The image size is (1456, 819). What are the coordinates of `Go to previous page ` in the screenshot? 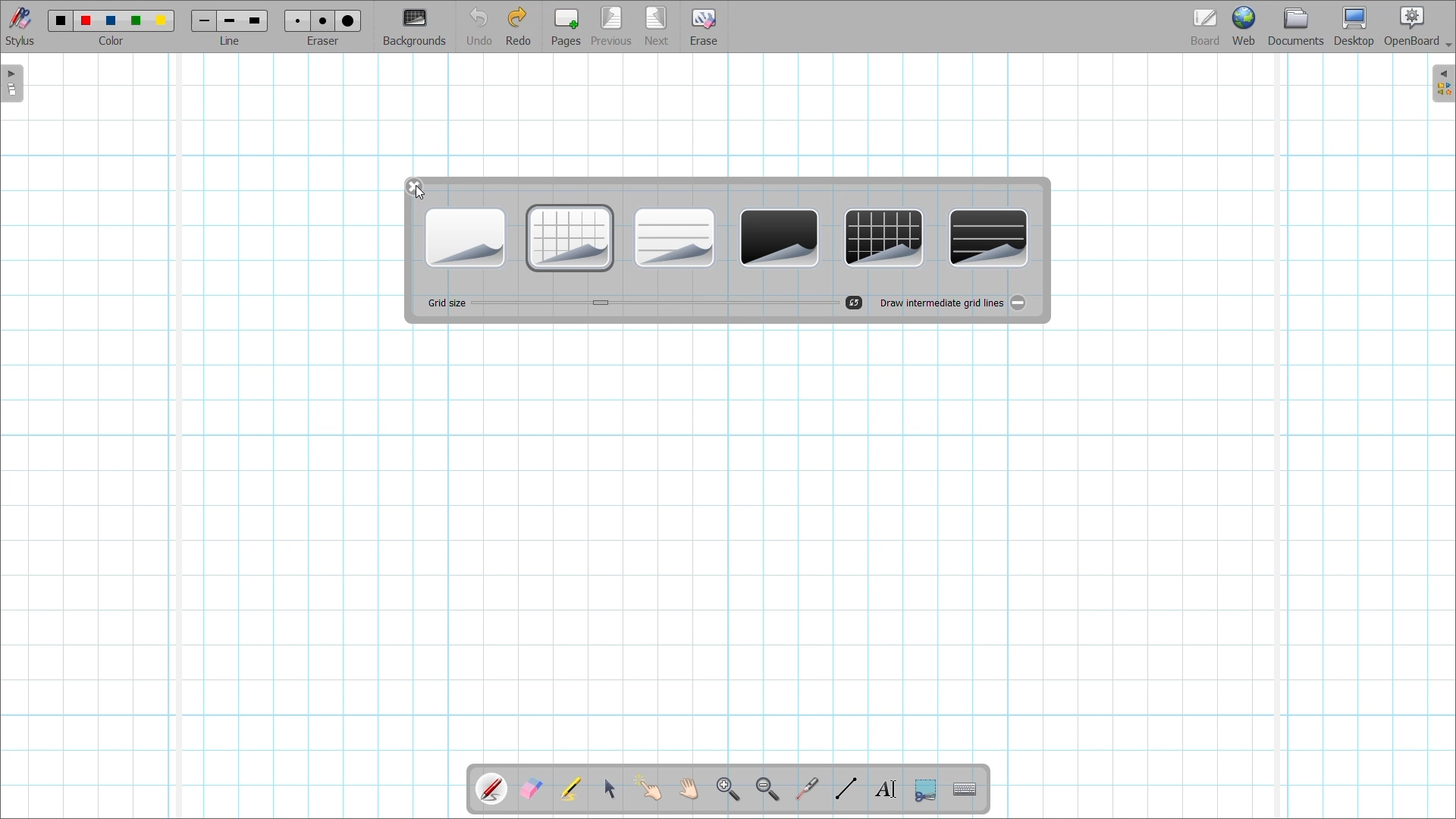 It's located at (611, 27).